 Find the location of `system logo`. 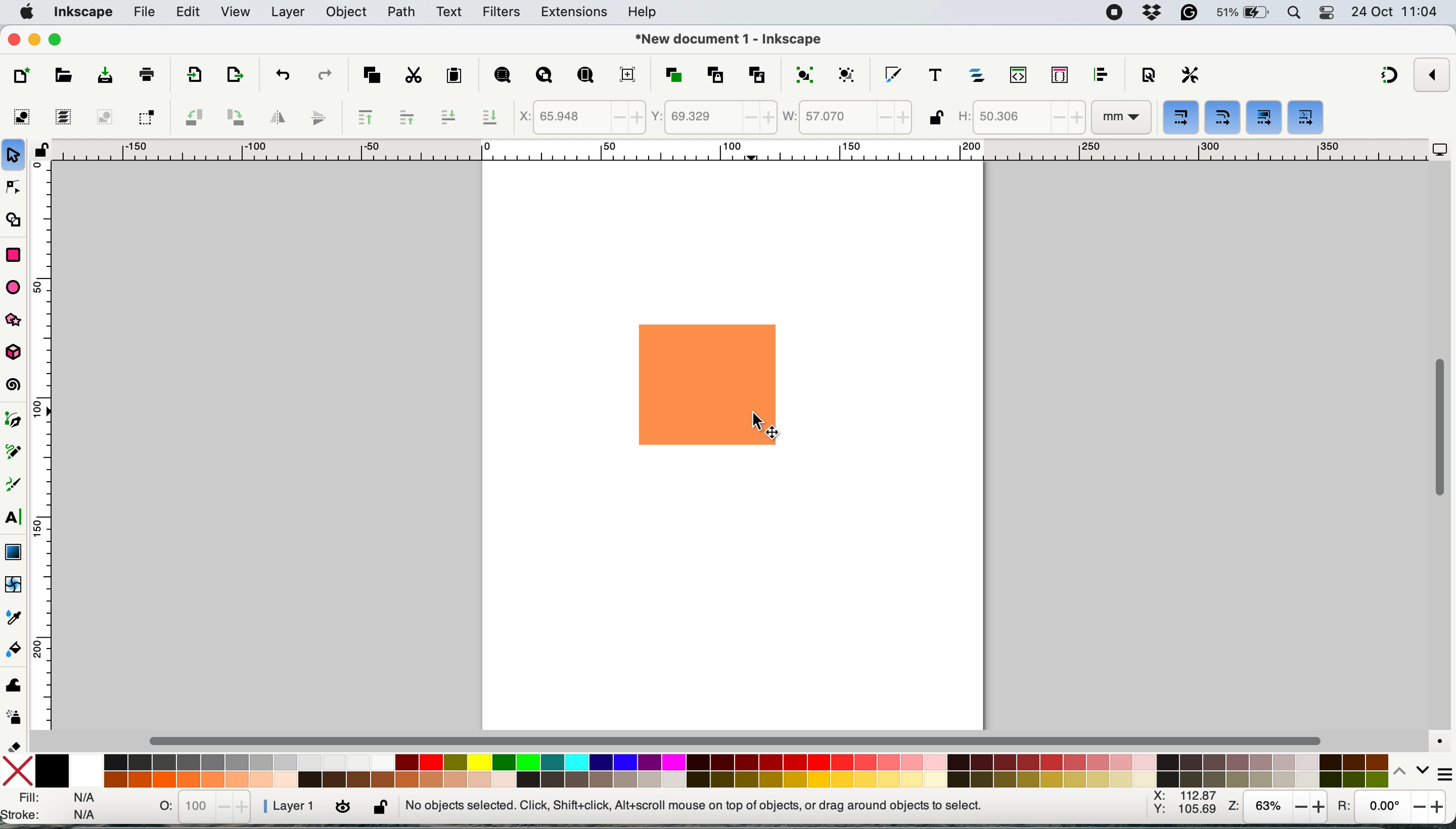

system logo is located at coordinates (27, 11).